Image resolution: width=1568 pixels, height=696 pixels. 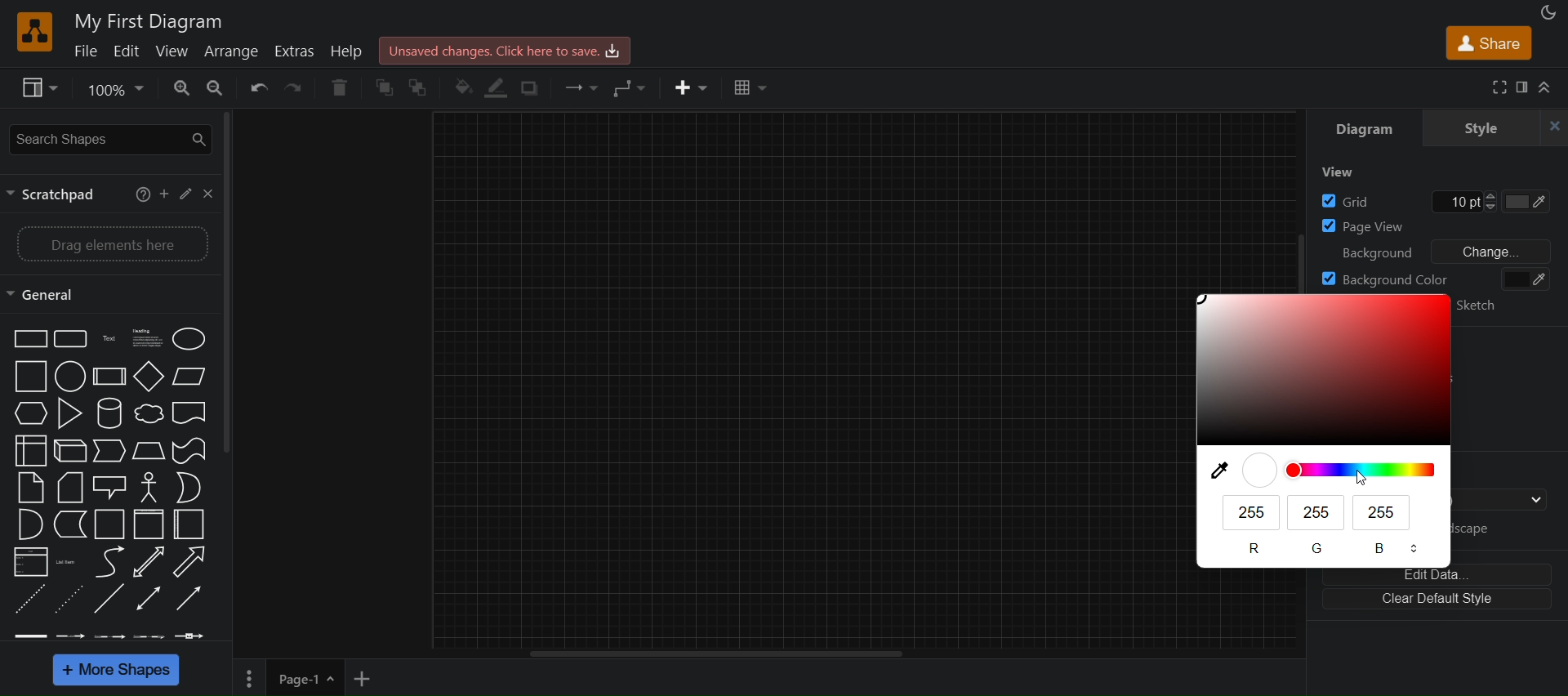 What do you see at coordinates (339, 89) in the screenshot?
I see `delete` at bounding box center [339, 89].